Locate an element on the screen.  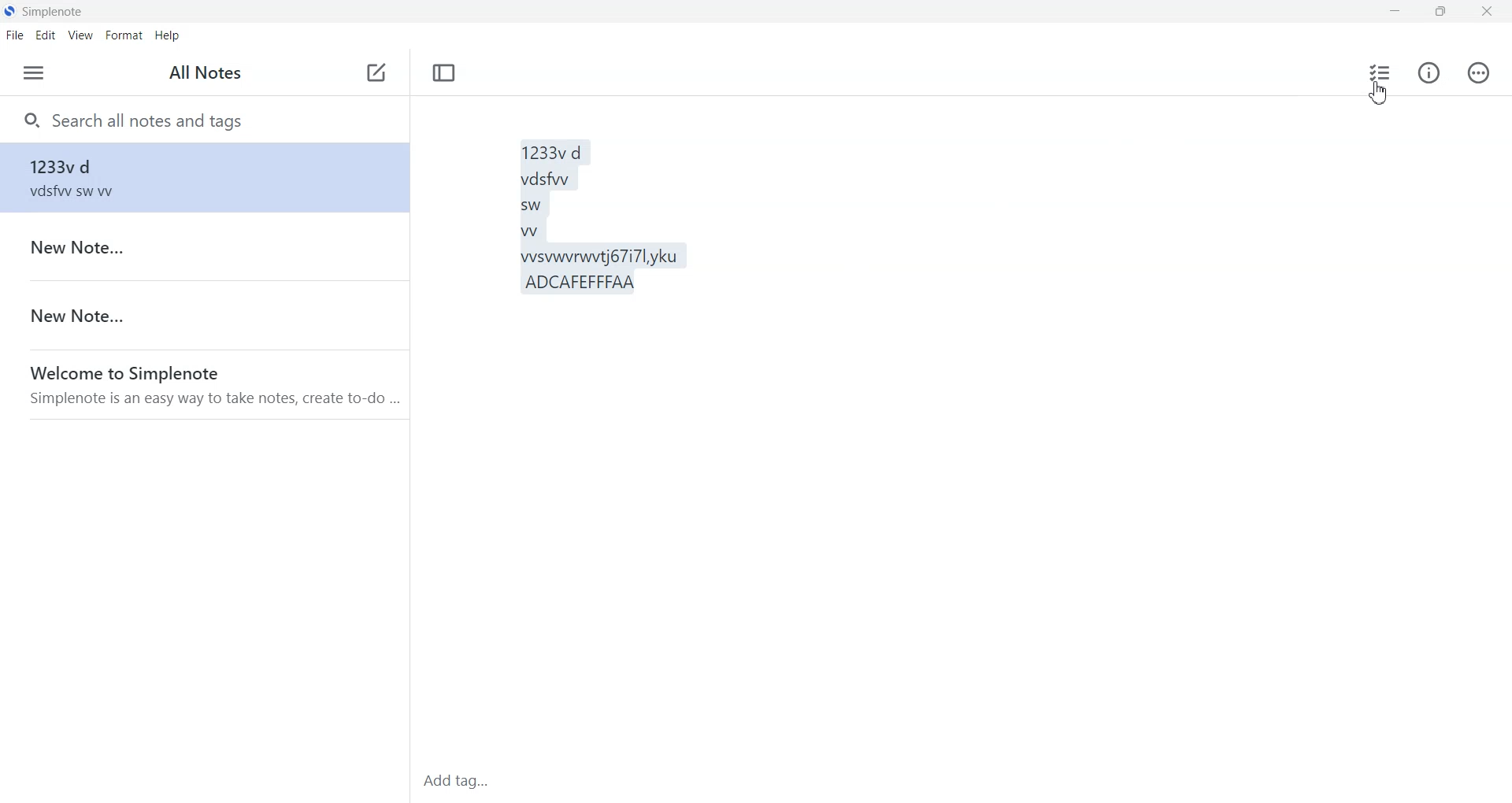
Action is located at coordinates (1479, 74).